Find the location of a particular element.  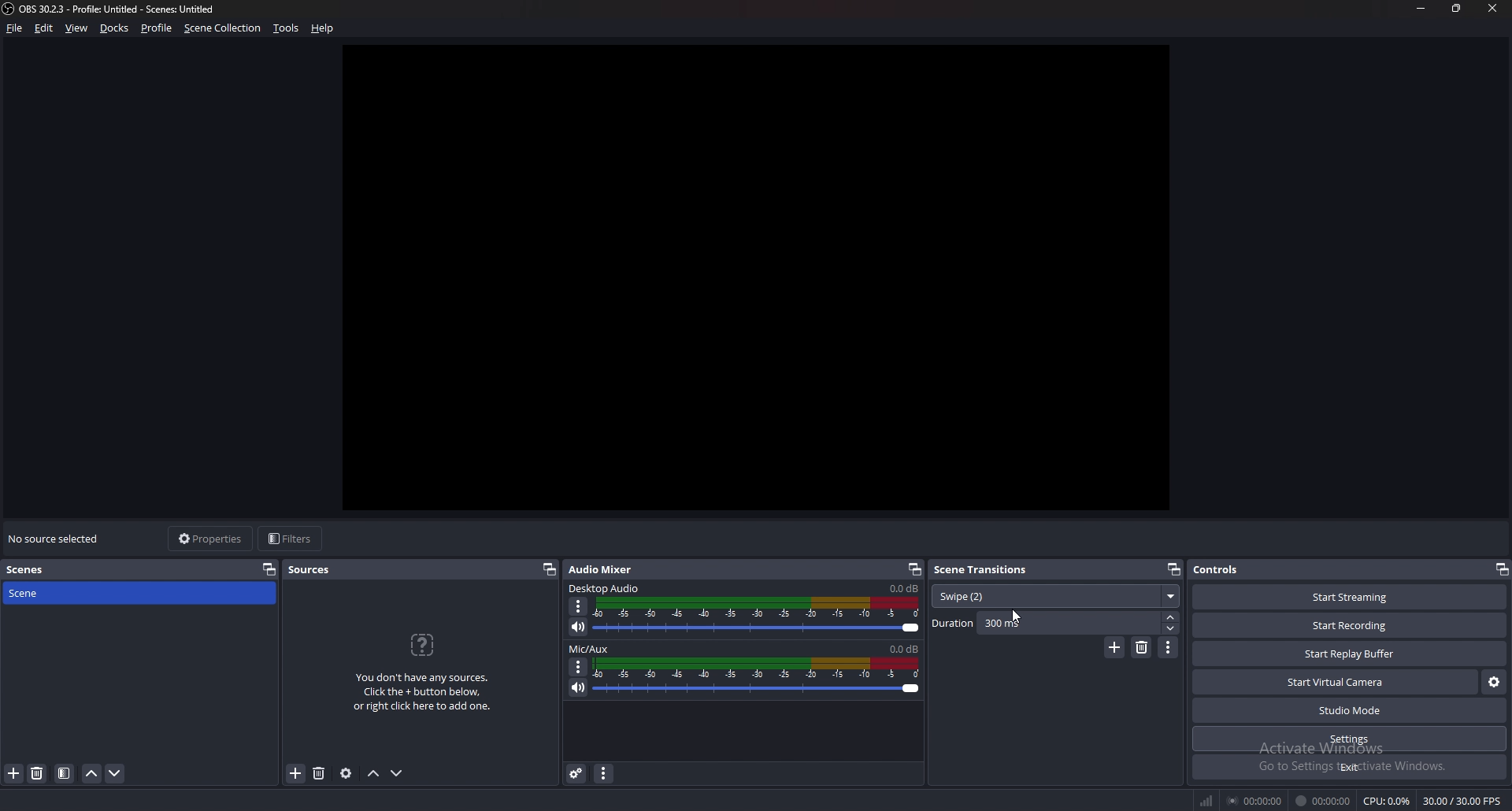

profile is located at coordinates (157, 28).